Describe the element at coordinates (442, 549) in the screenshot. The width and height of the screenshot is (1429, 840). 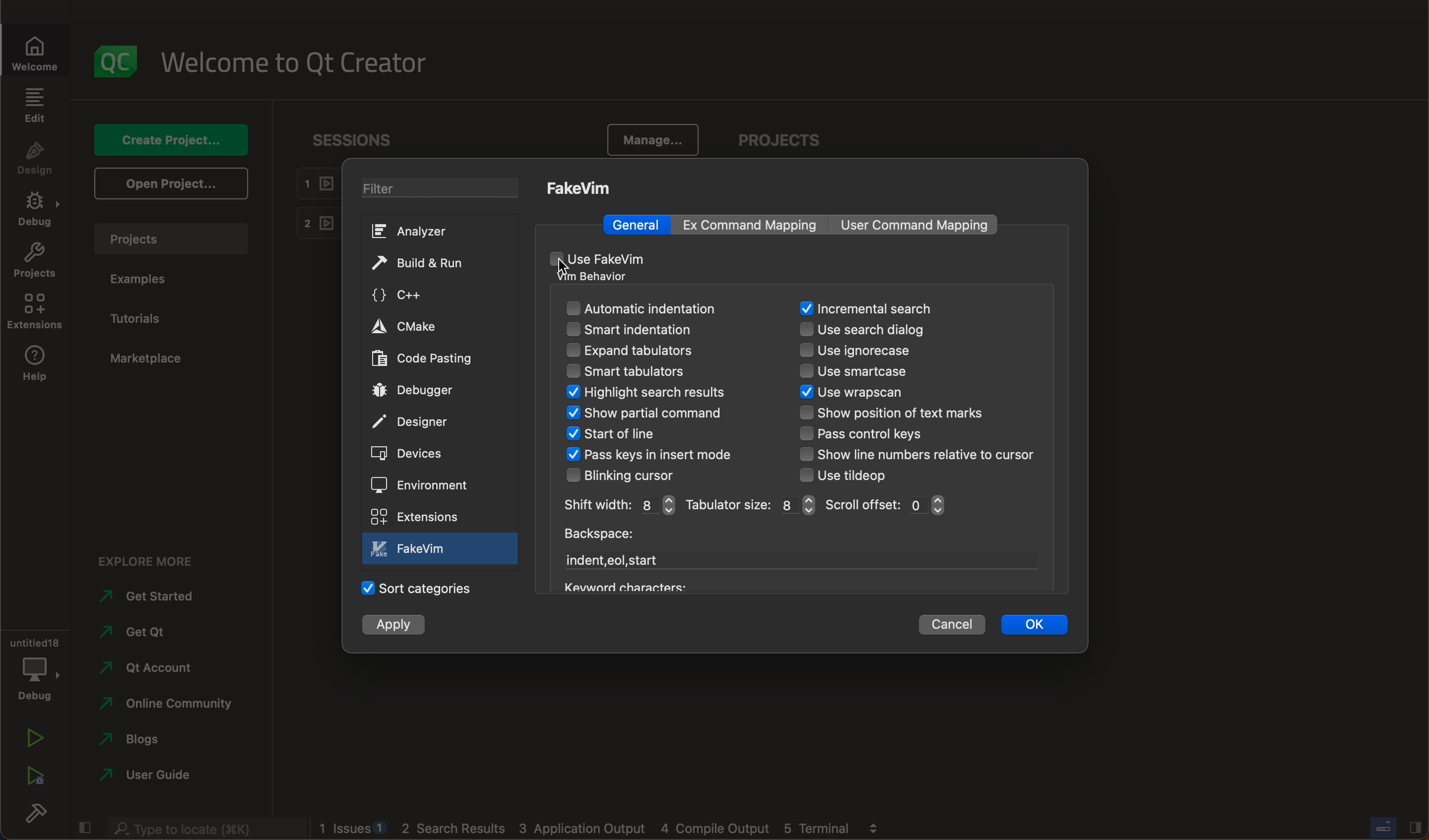
I see `fake vim` at that location.